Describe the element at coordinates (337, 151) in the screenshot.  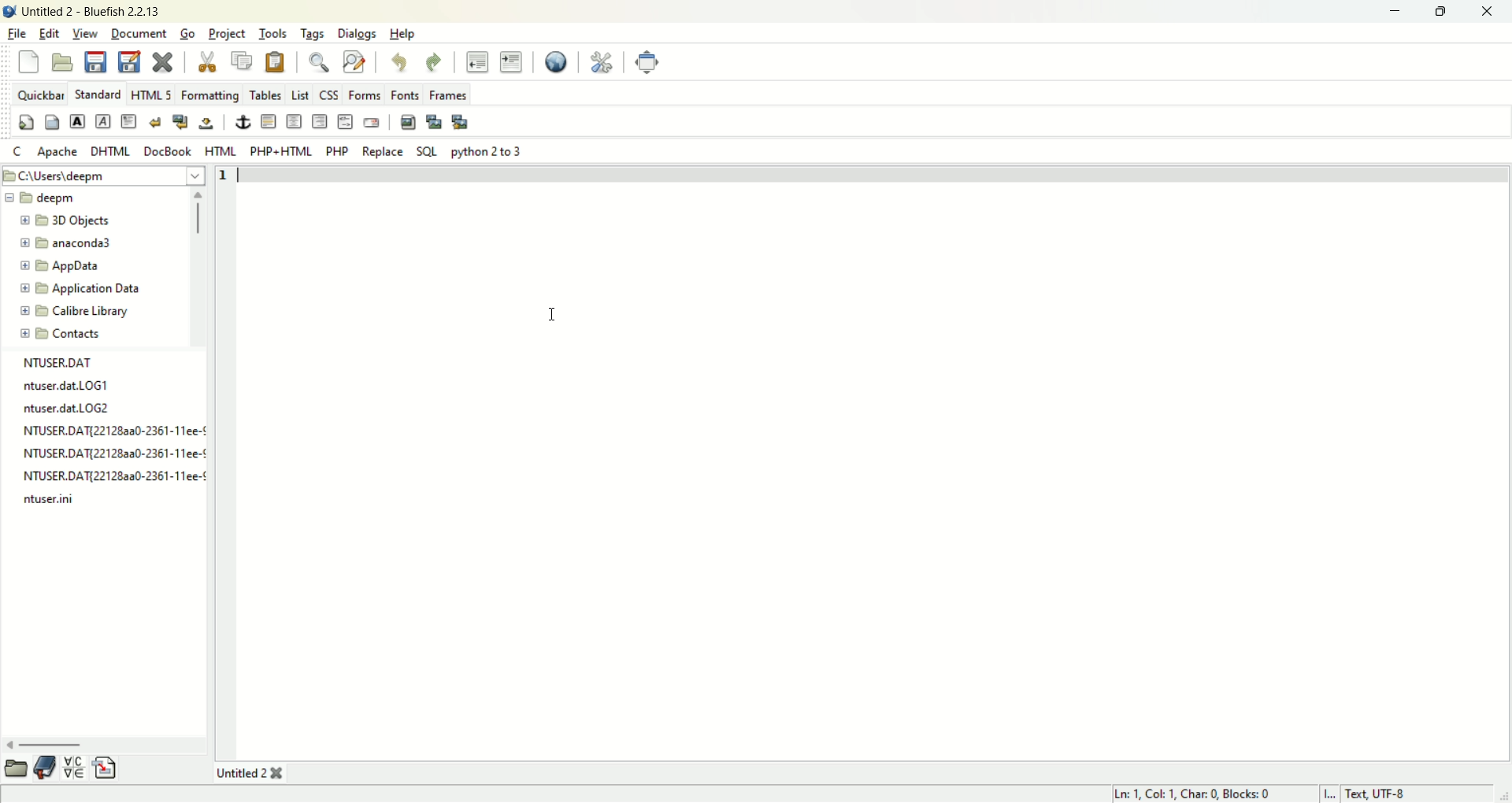
I see `PHP` at that location.